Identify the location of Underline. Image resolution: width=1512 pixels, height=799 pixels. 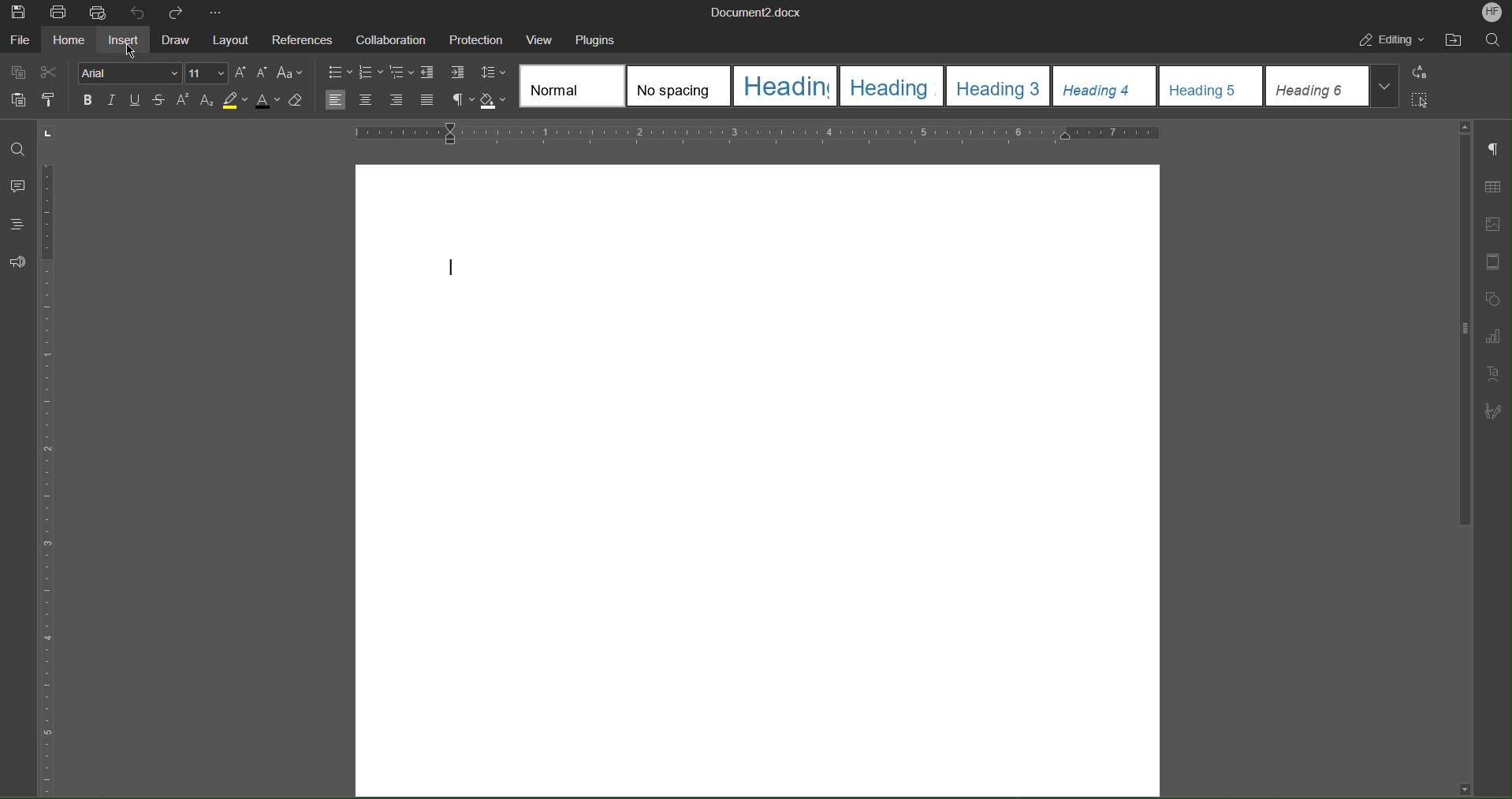
(135, 100).